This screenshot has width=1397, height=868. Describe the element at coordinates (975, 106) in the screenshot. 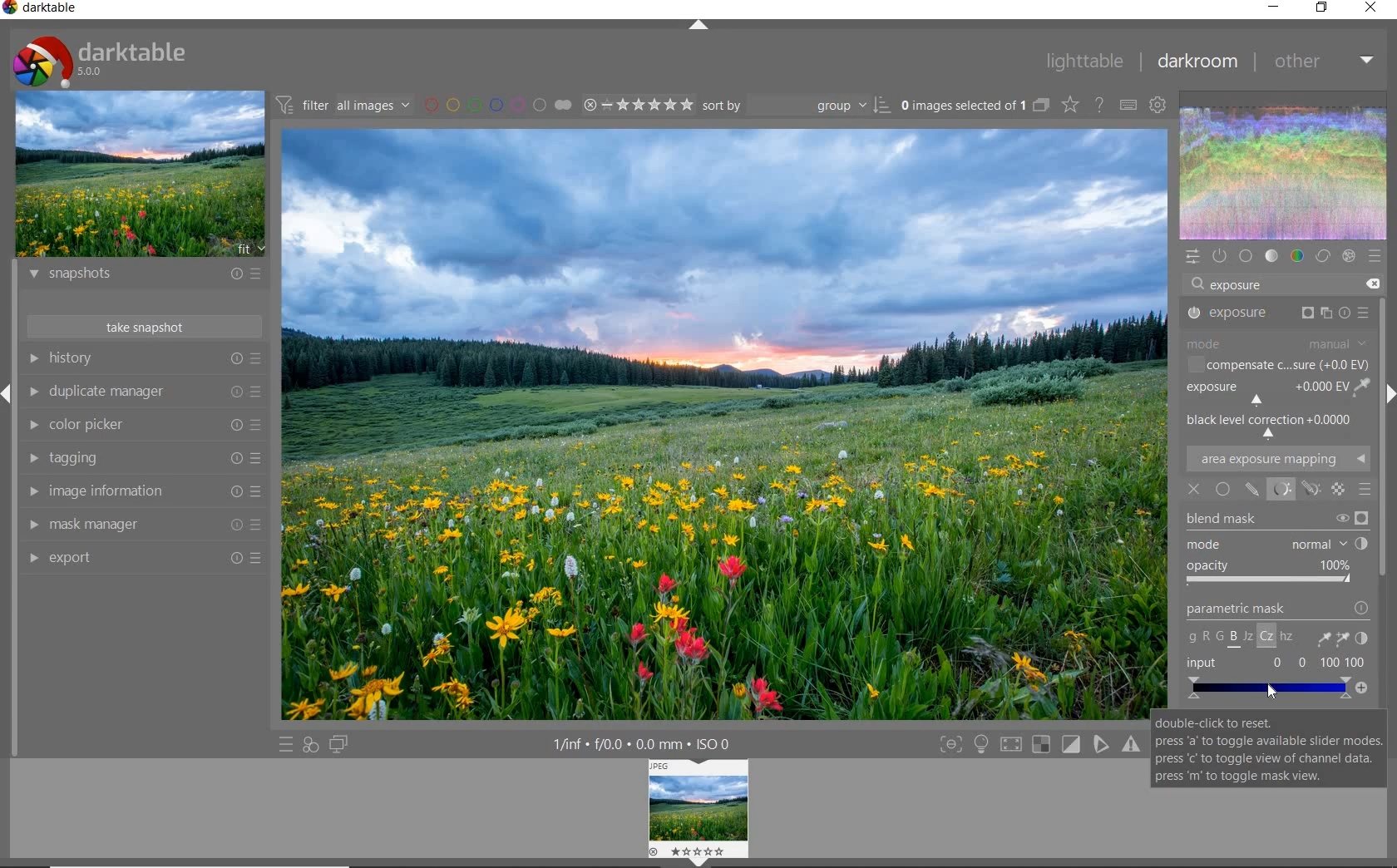

I see `expand grouped images` at that location.